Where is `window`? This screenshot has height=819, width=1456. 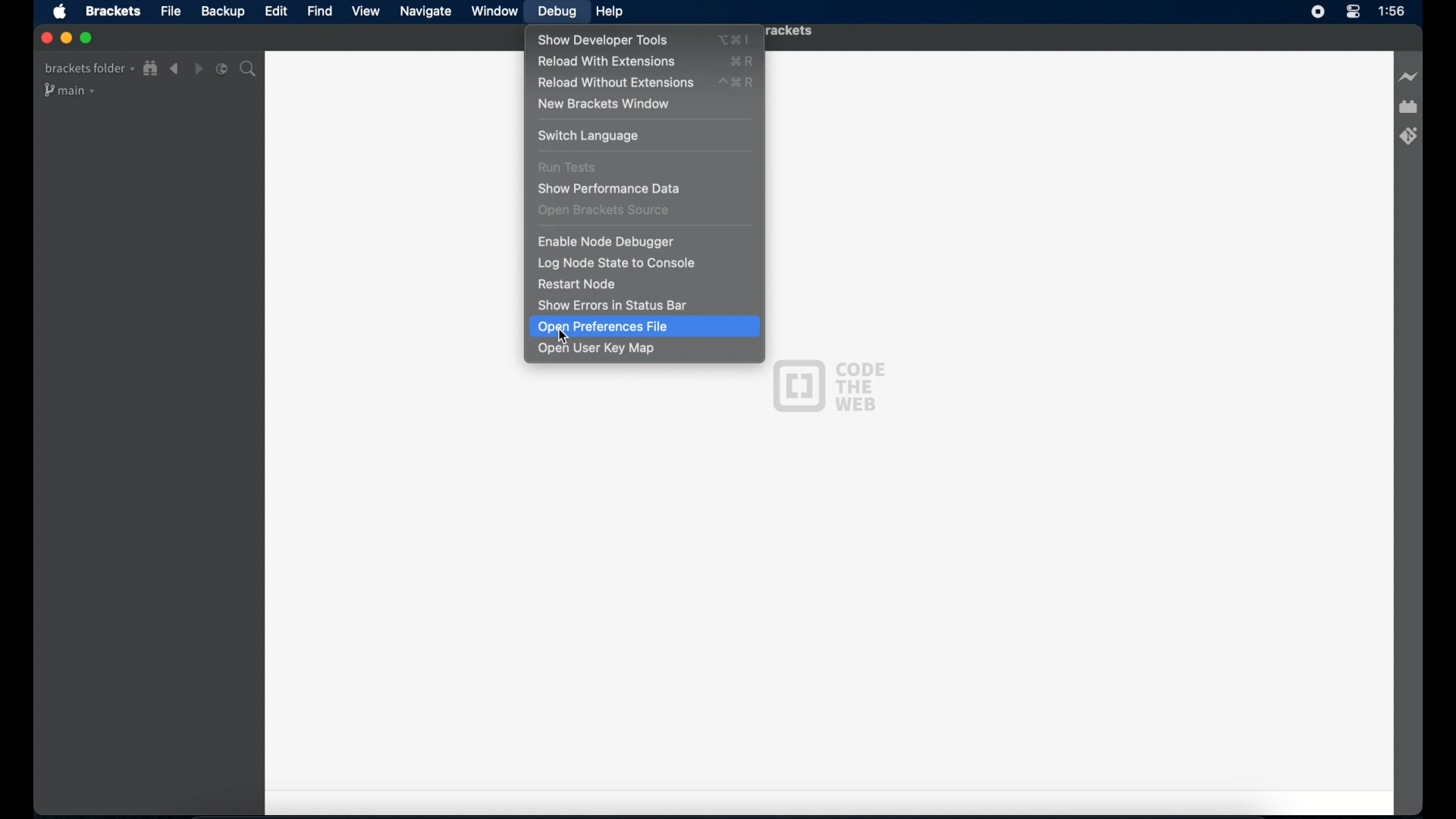
window is located at coordinates (495, 11).